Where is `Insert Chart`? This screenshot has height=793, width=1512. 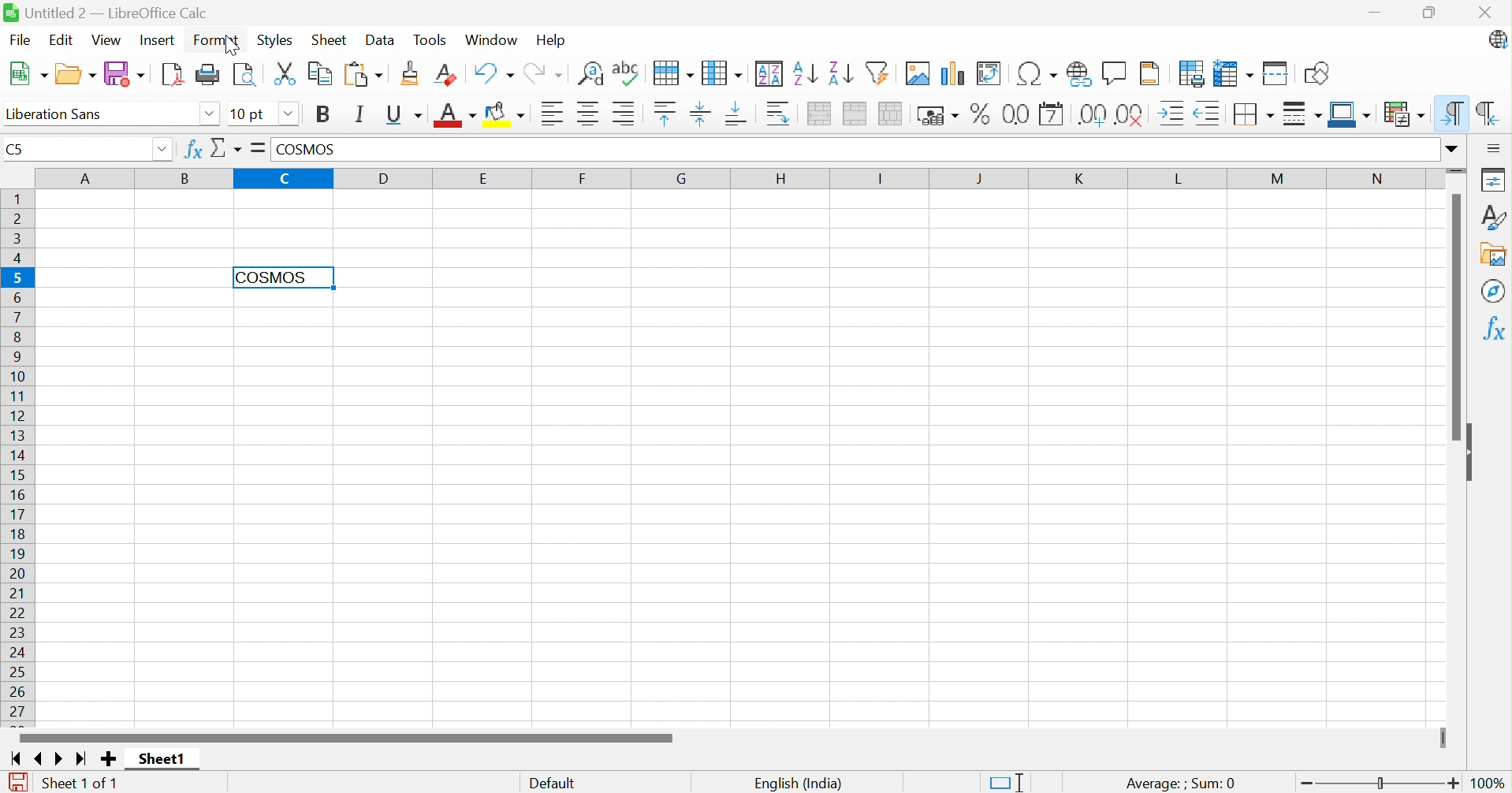 Insert Chart is located at coordinates (955, 72).